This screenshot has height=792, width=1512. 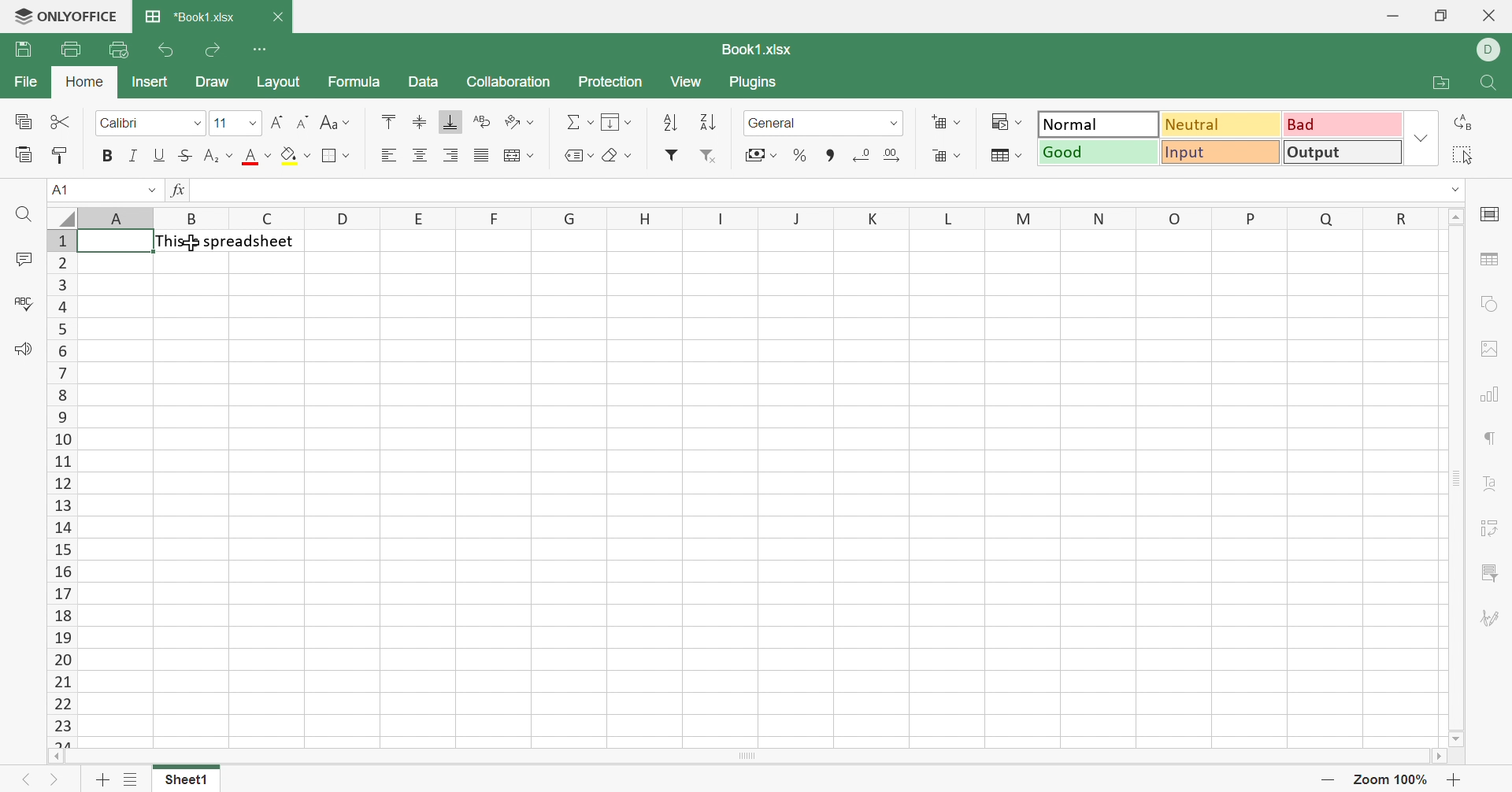 What do you see at coordinates (22, 48) in the screenshot?
I see `Save` at bounding box center [22, 48].